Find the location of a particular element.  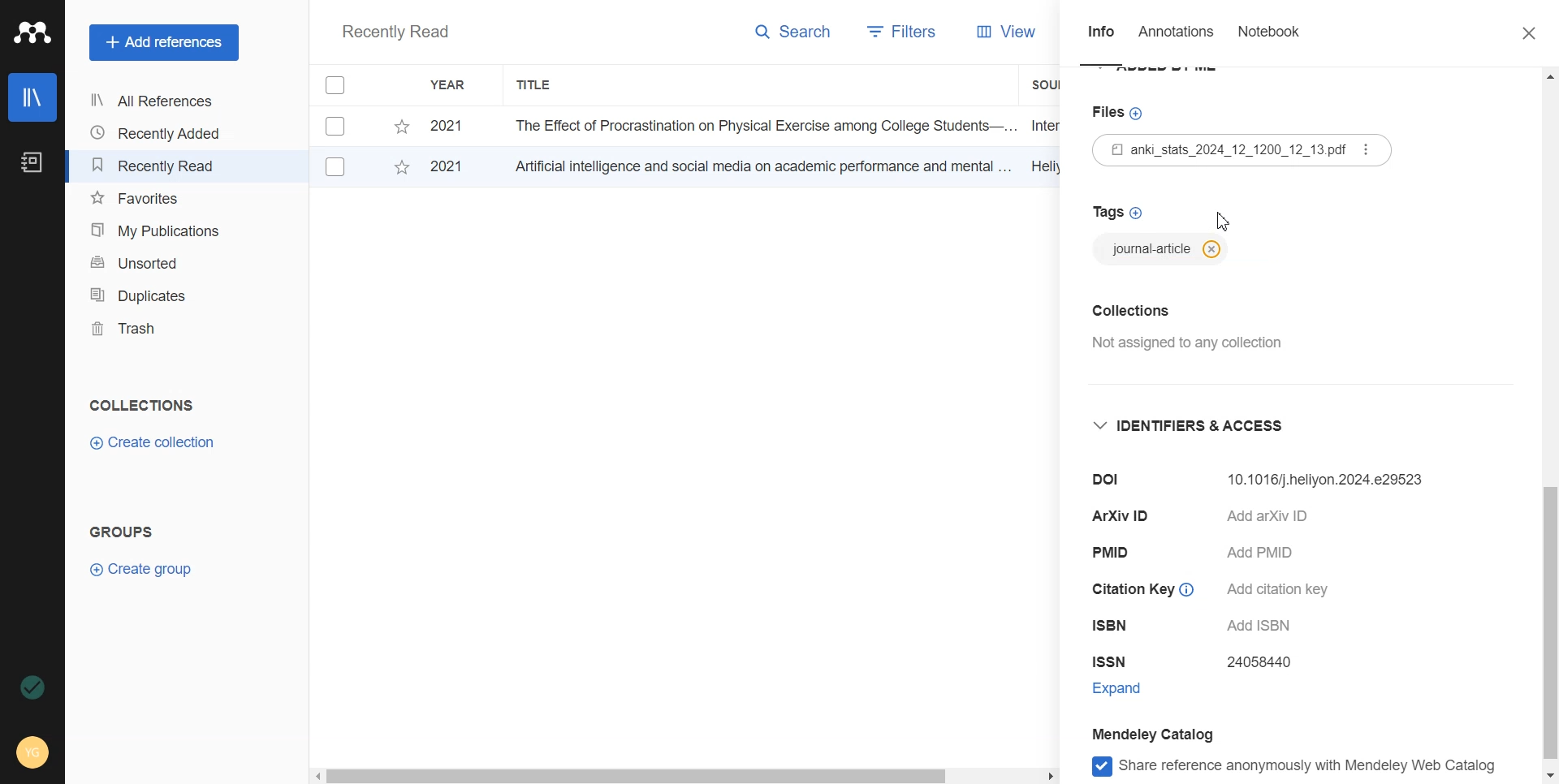

Unsorted is located at coordinates (160, 261).